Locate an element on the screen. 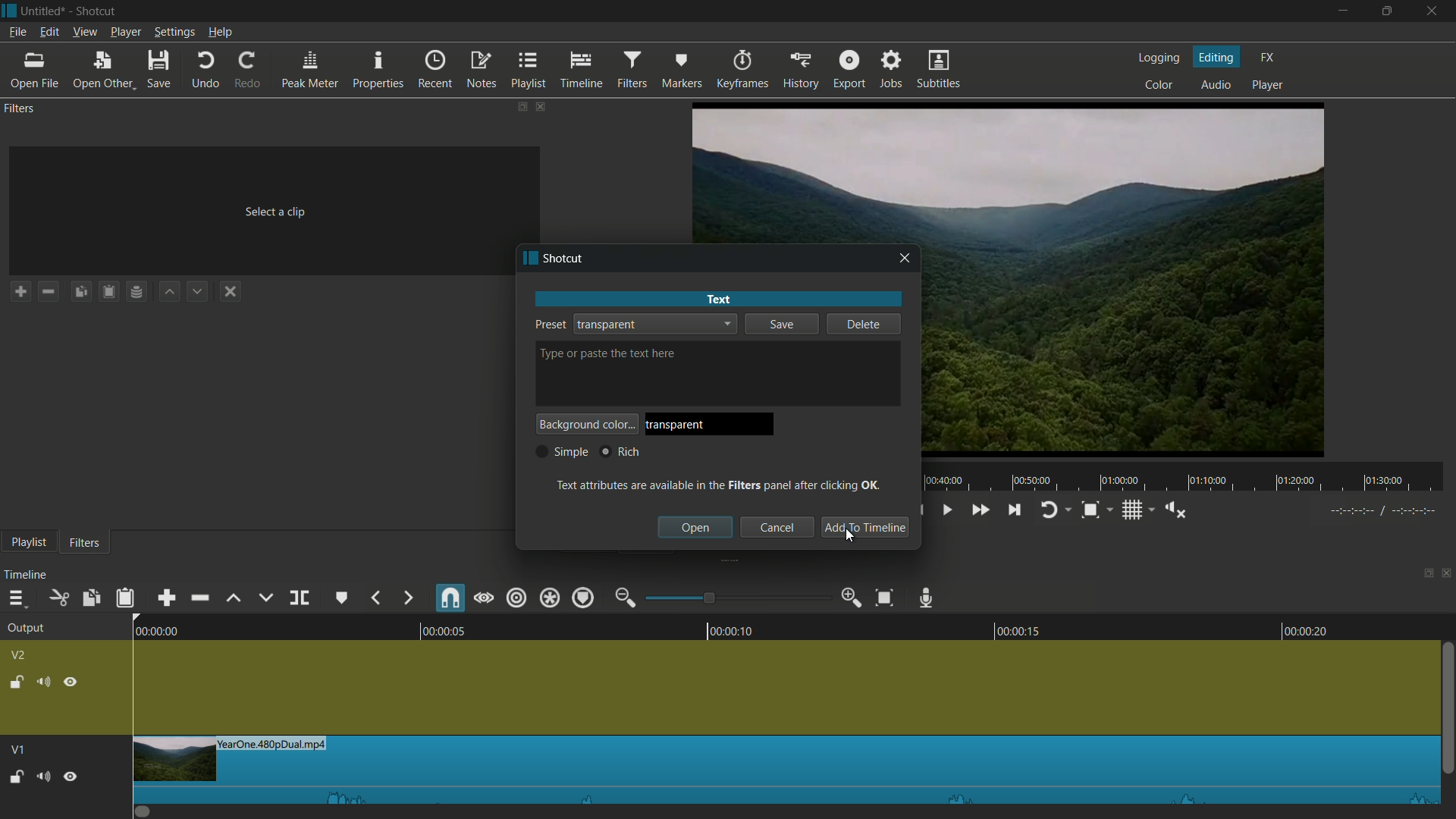  background color is located at coordinates (587, 424).